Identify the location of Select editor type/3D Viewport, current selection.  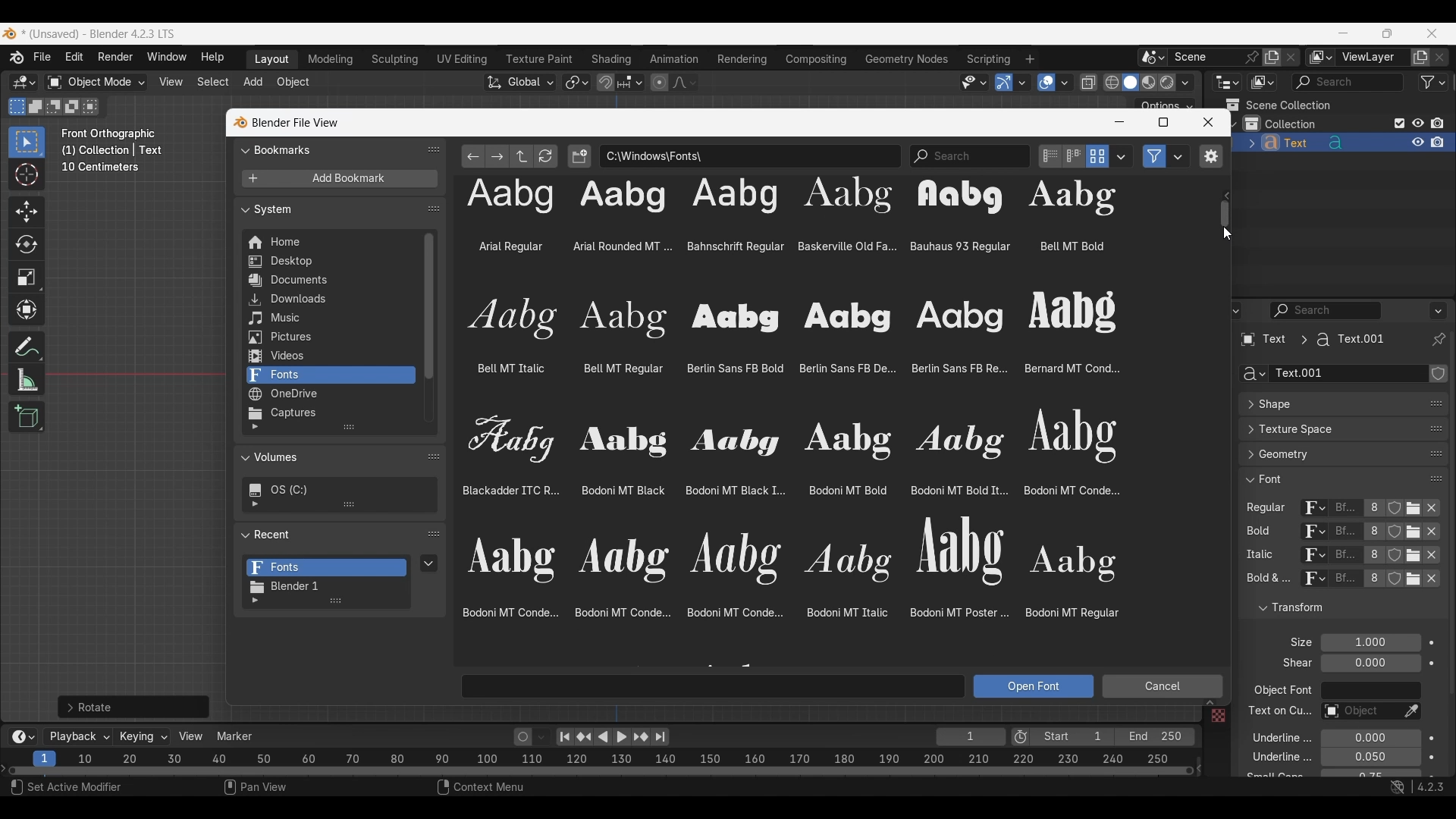
(24, 82).